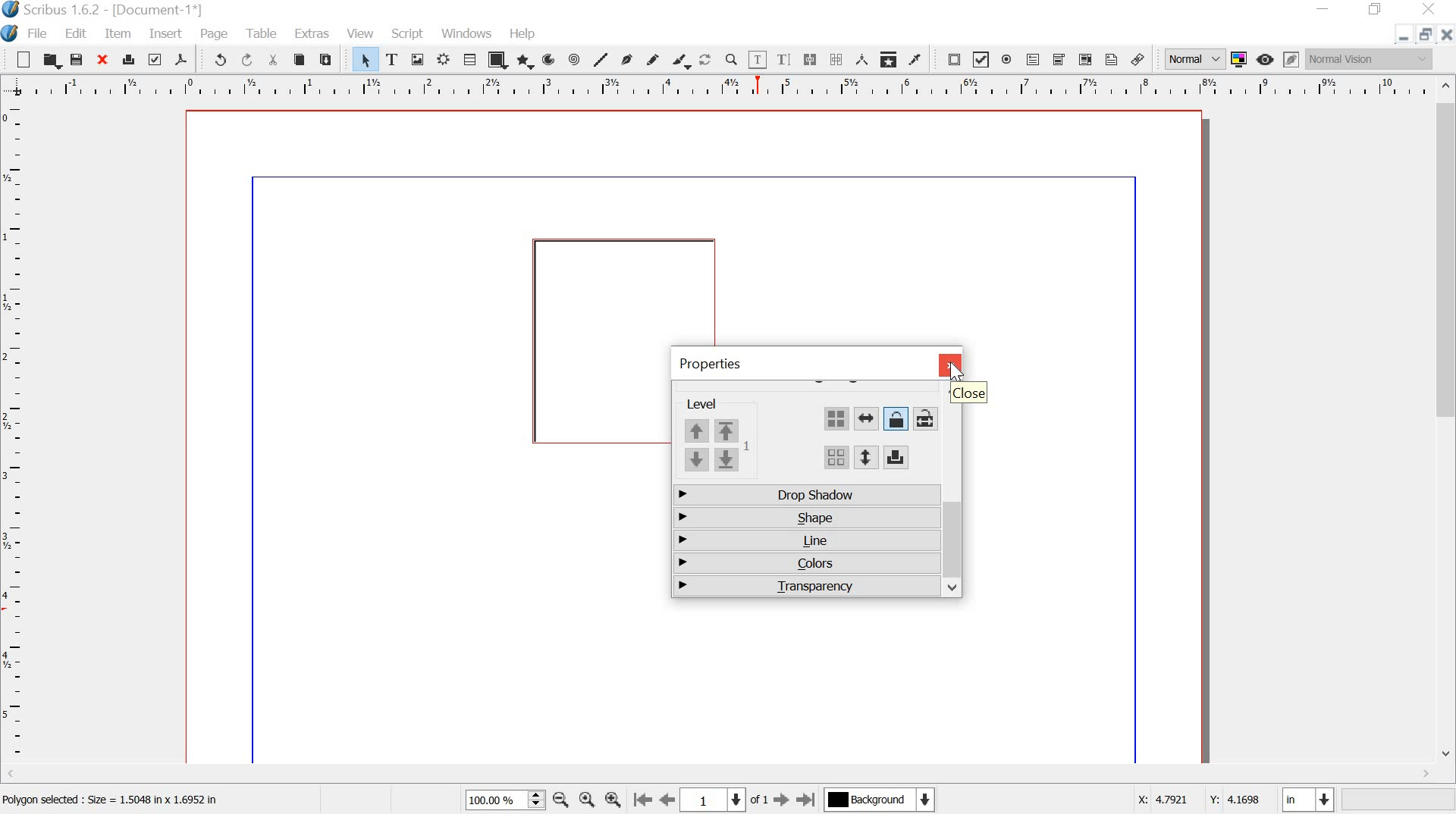 The image size is (1456, 814). I want to click on ruler, so click(717, 86).